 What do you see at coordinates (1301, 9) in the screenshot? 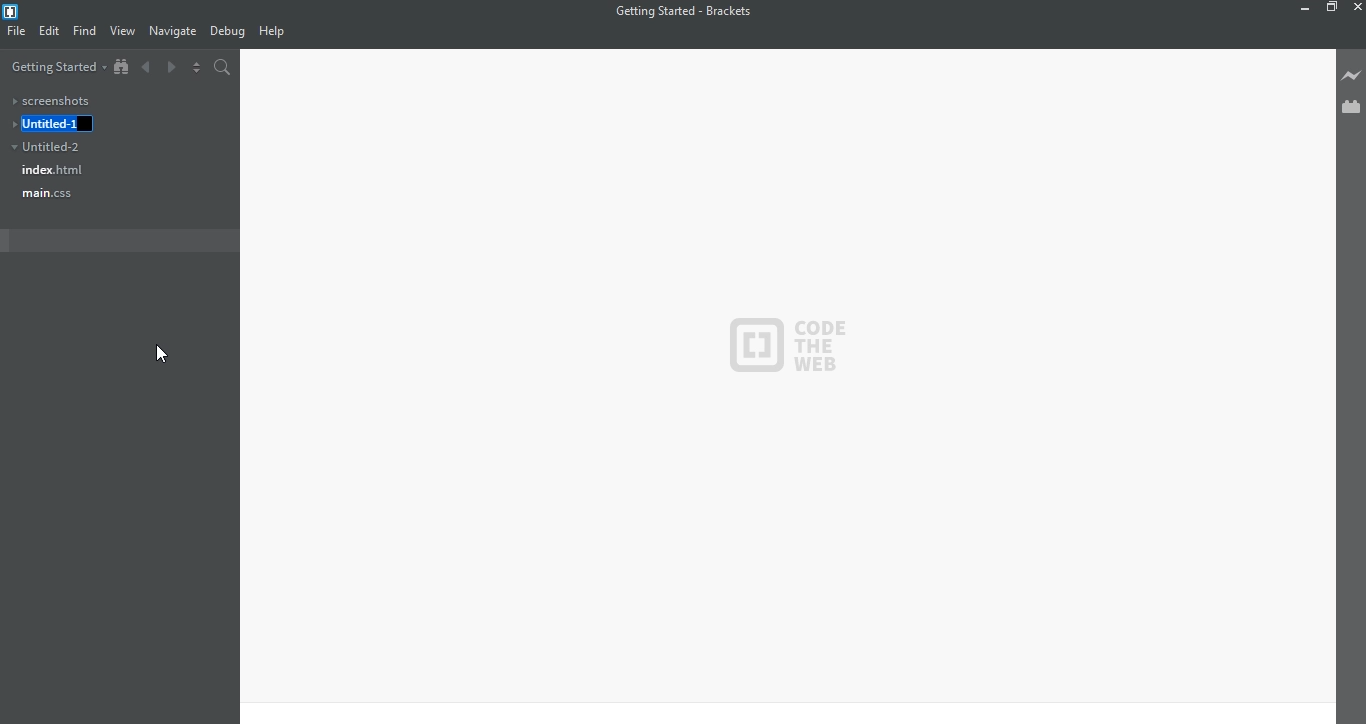
I see `minimize` at bounding box center [1301, 9].